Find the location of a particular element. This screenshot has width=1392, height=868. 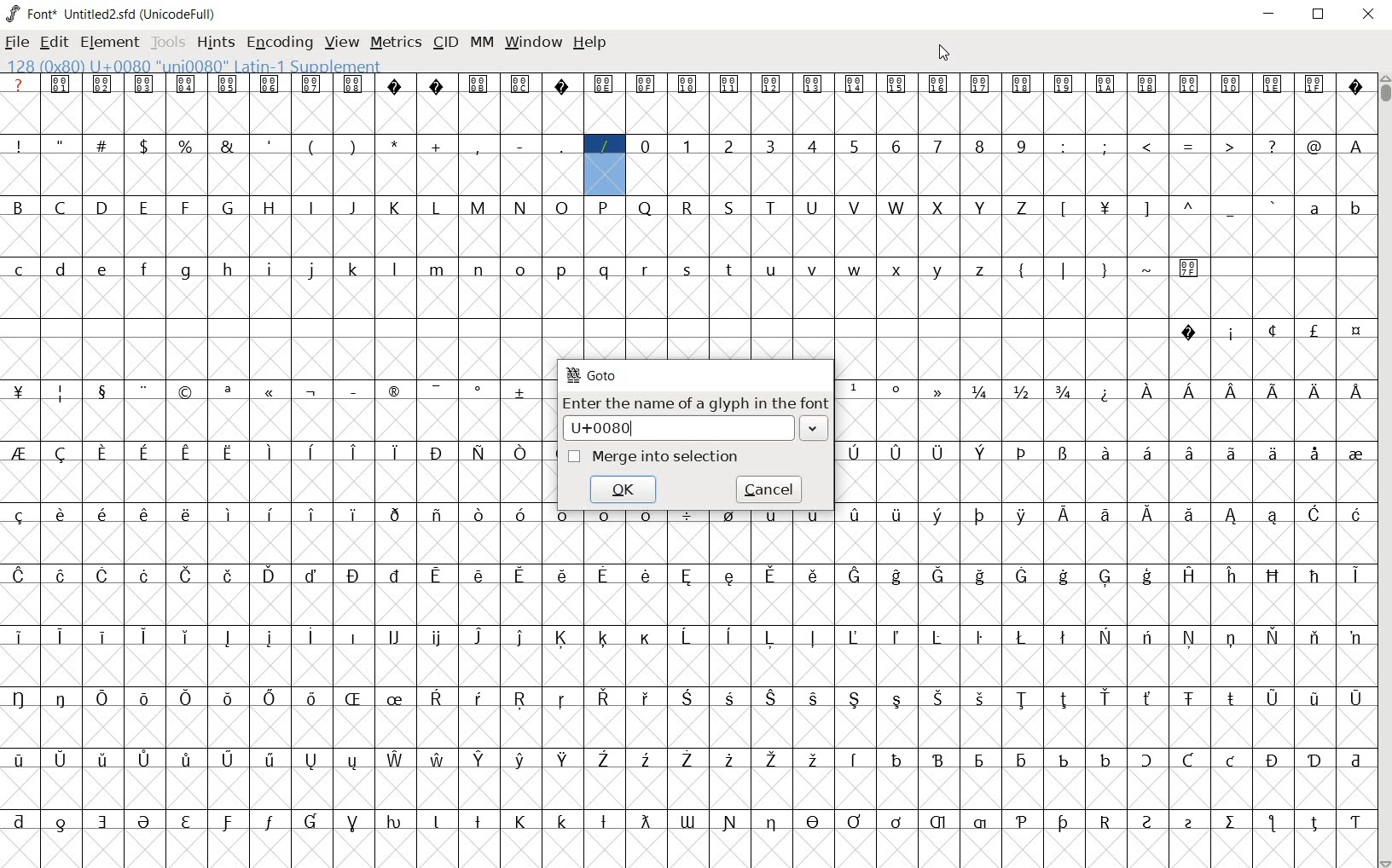

glyph is located at coordinates (478, 760).